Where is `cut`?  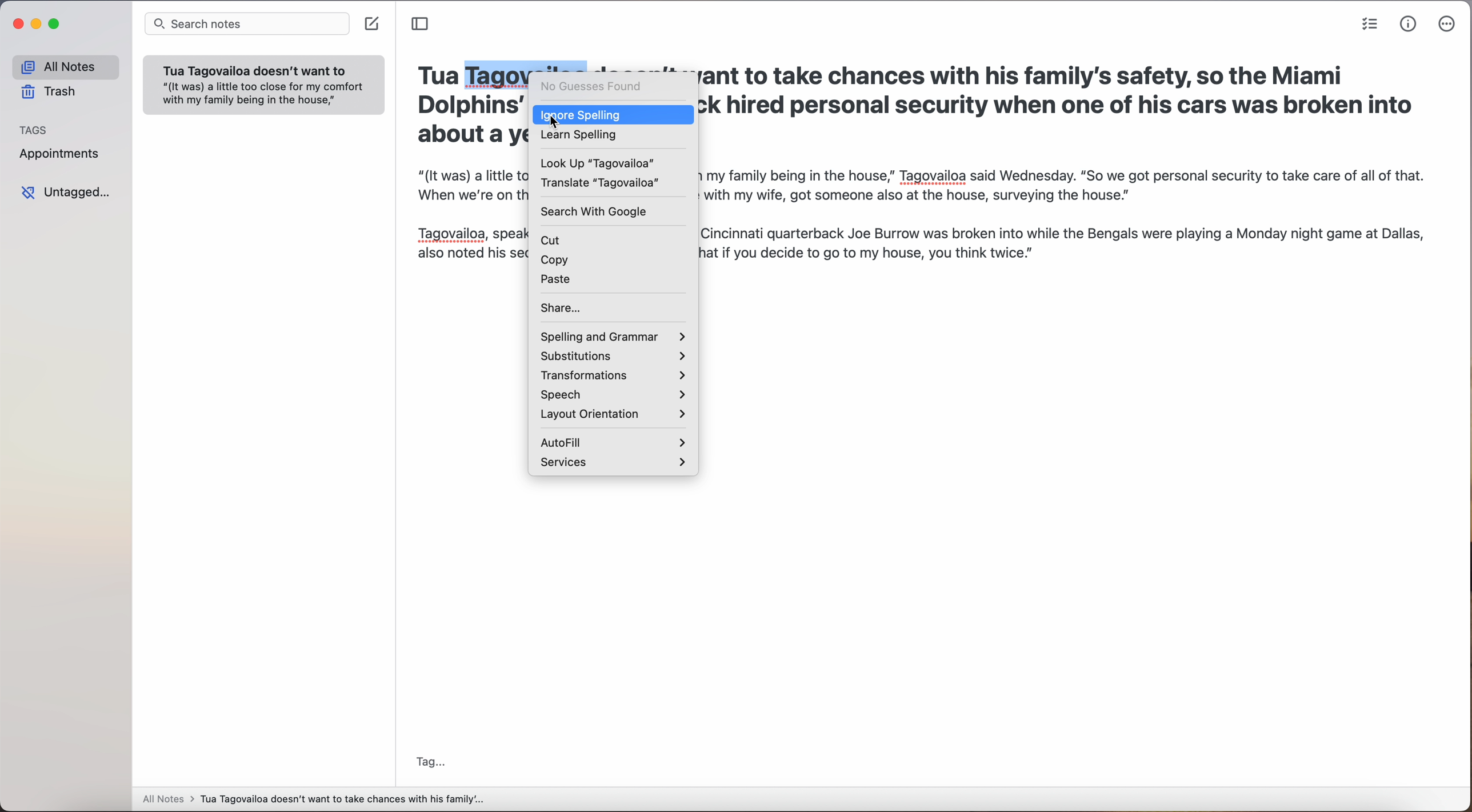 cut is located at coordinates (554, 237).